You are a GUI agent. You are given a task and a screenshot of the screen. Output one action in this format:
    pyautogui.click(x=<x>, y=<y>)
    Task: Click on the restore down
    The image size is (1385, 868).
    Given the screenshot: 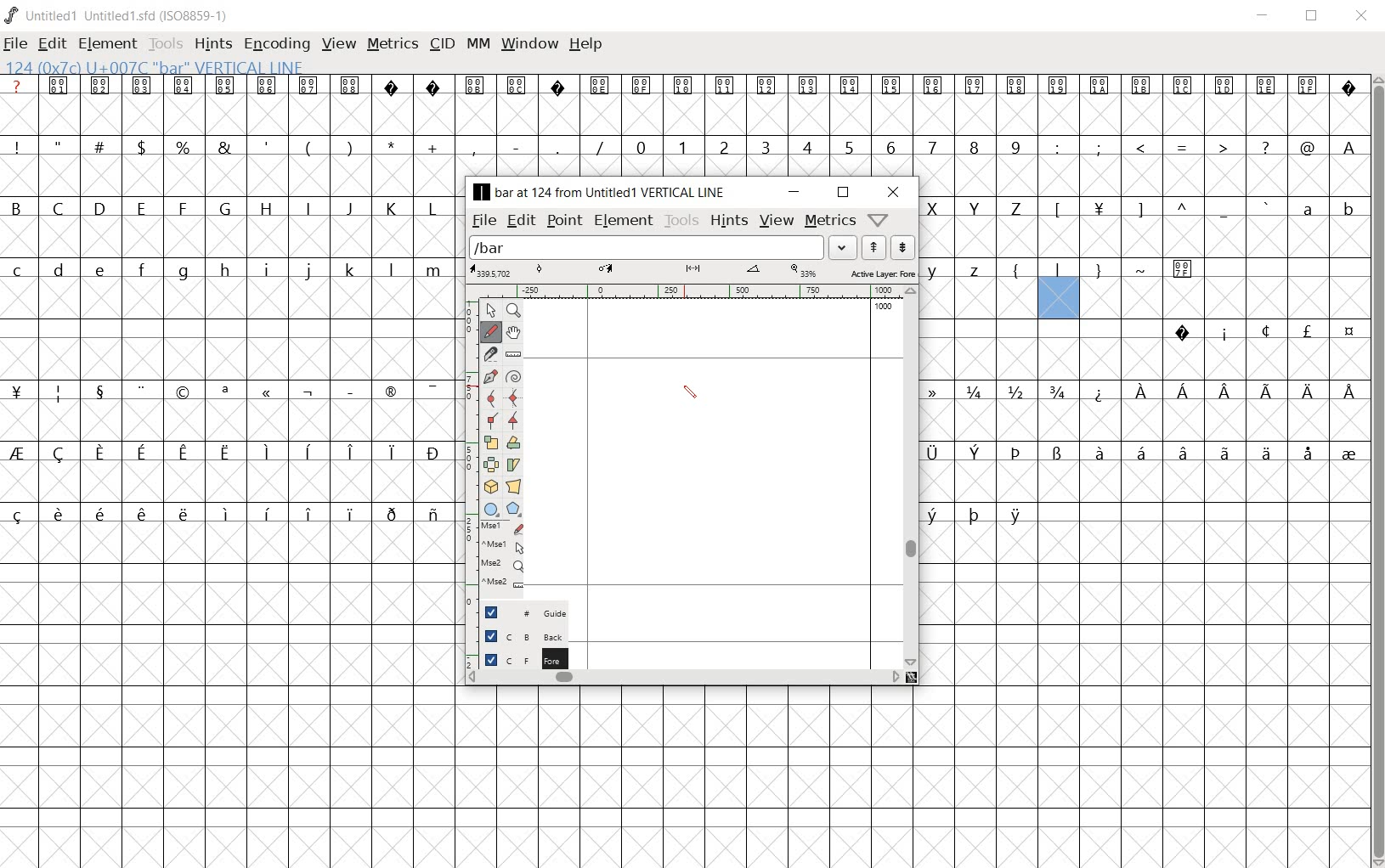 What is the action you would take?
    pyautogui.click(x=1313, y=16)
    